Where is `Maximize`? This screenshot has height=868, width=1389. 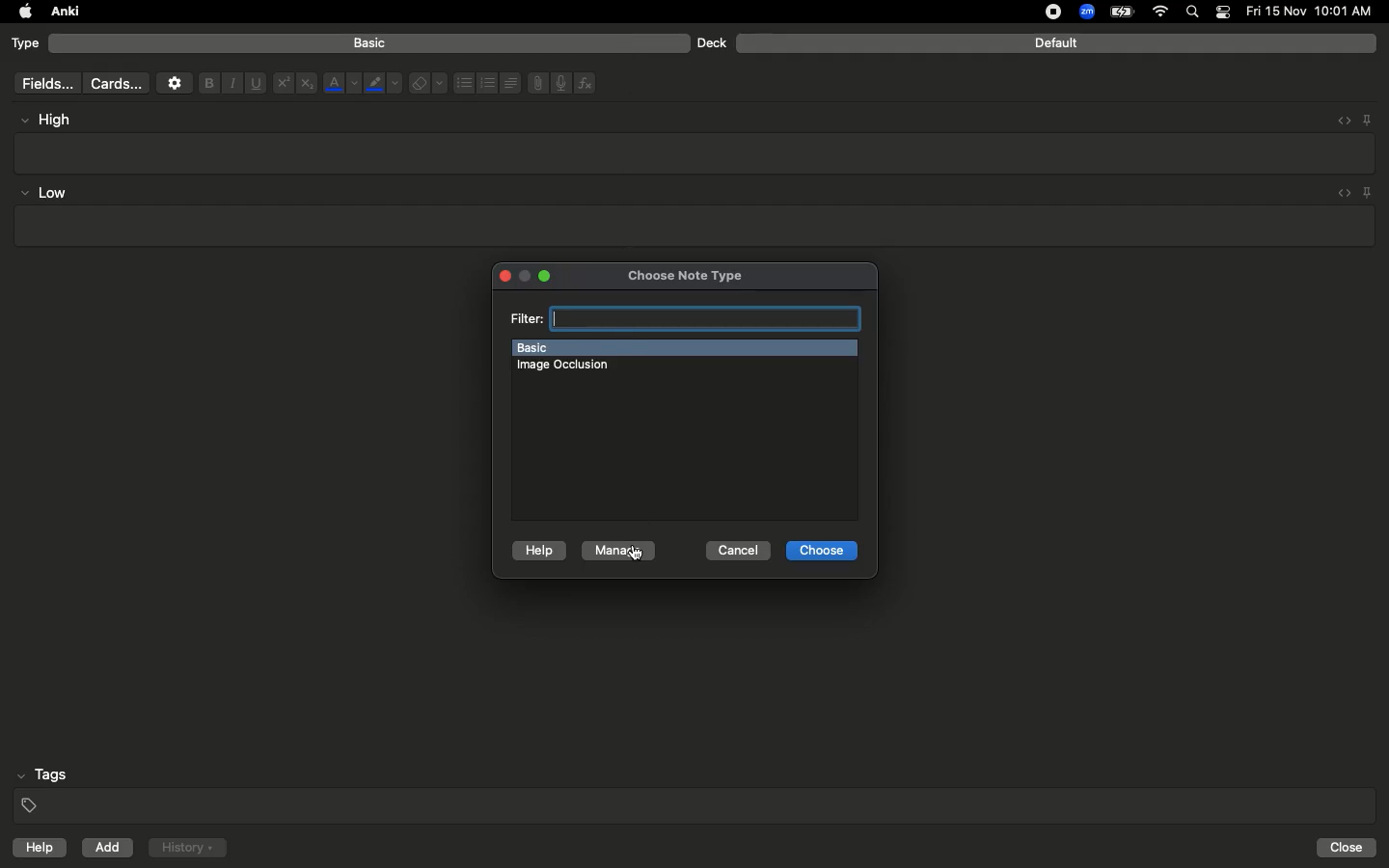 Maximize is located at coordinates (551, 276).